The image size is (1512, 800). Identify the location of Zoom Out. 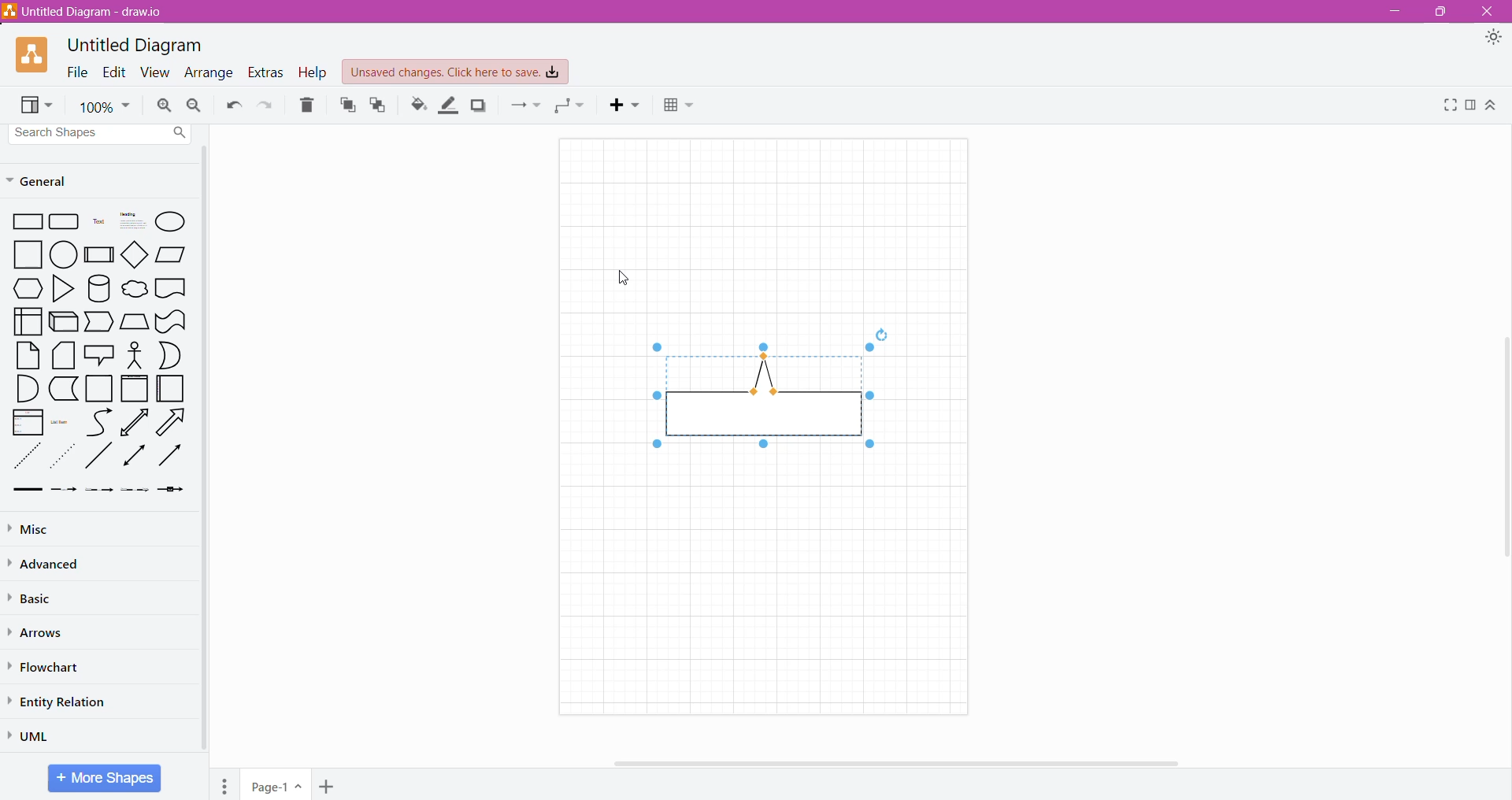
(195, 104).